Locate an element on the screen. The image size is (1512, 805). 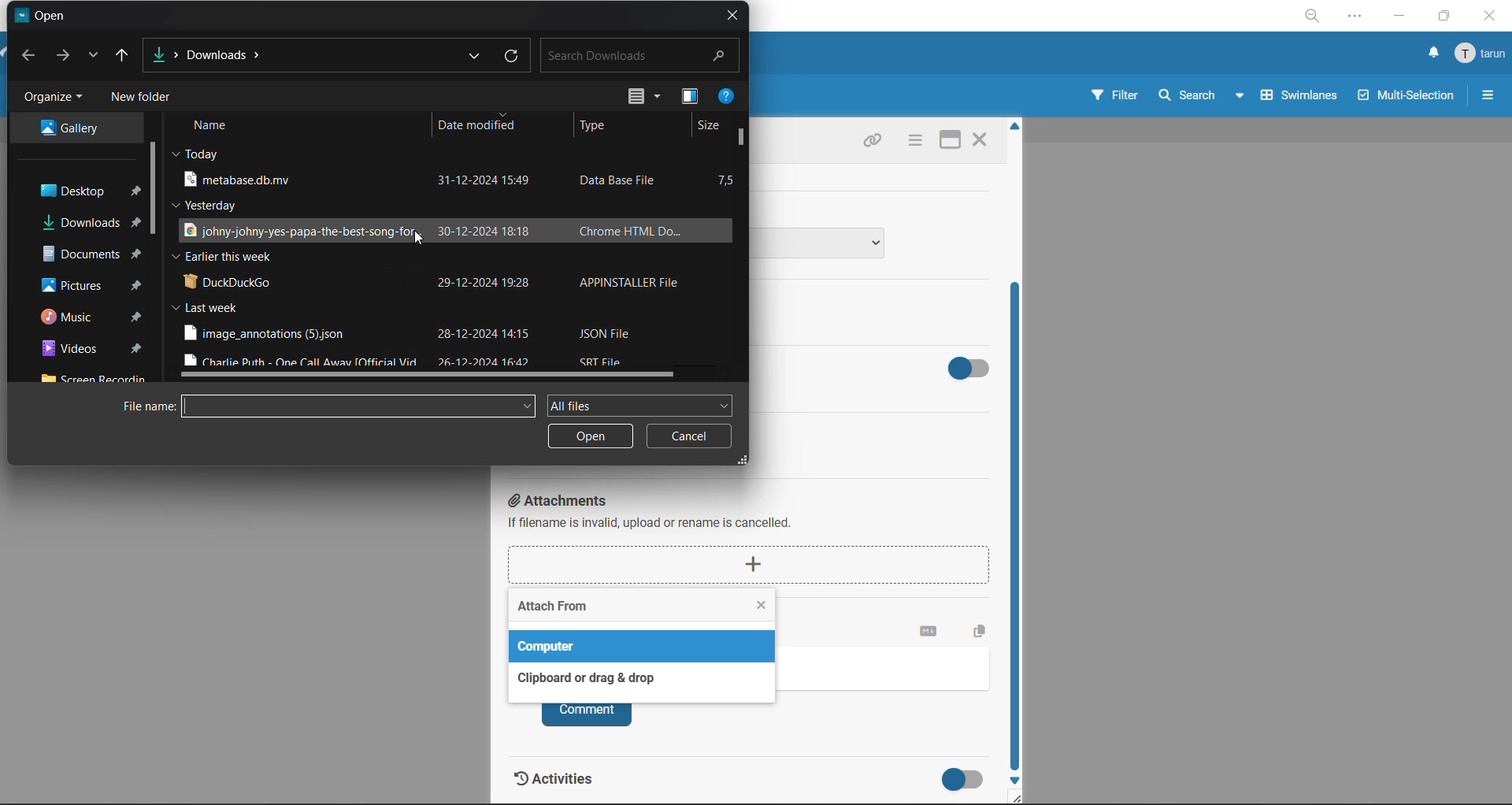
filter is located at coordinates (1116, 95).